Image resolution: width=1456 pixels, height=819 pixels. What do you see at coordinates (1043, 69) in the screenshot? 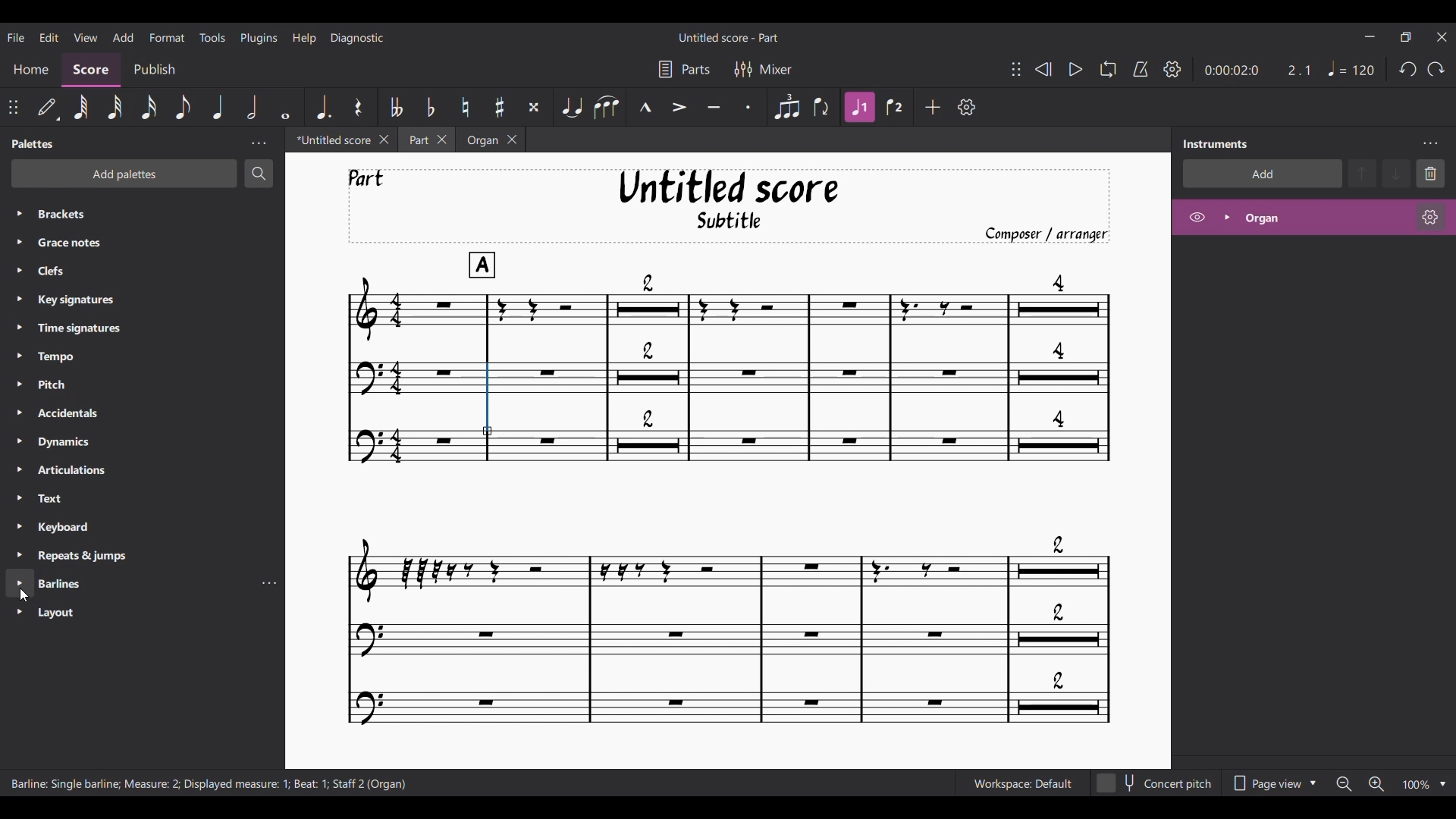
I see `Rewind` at bounding box center [1043, 69].